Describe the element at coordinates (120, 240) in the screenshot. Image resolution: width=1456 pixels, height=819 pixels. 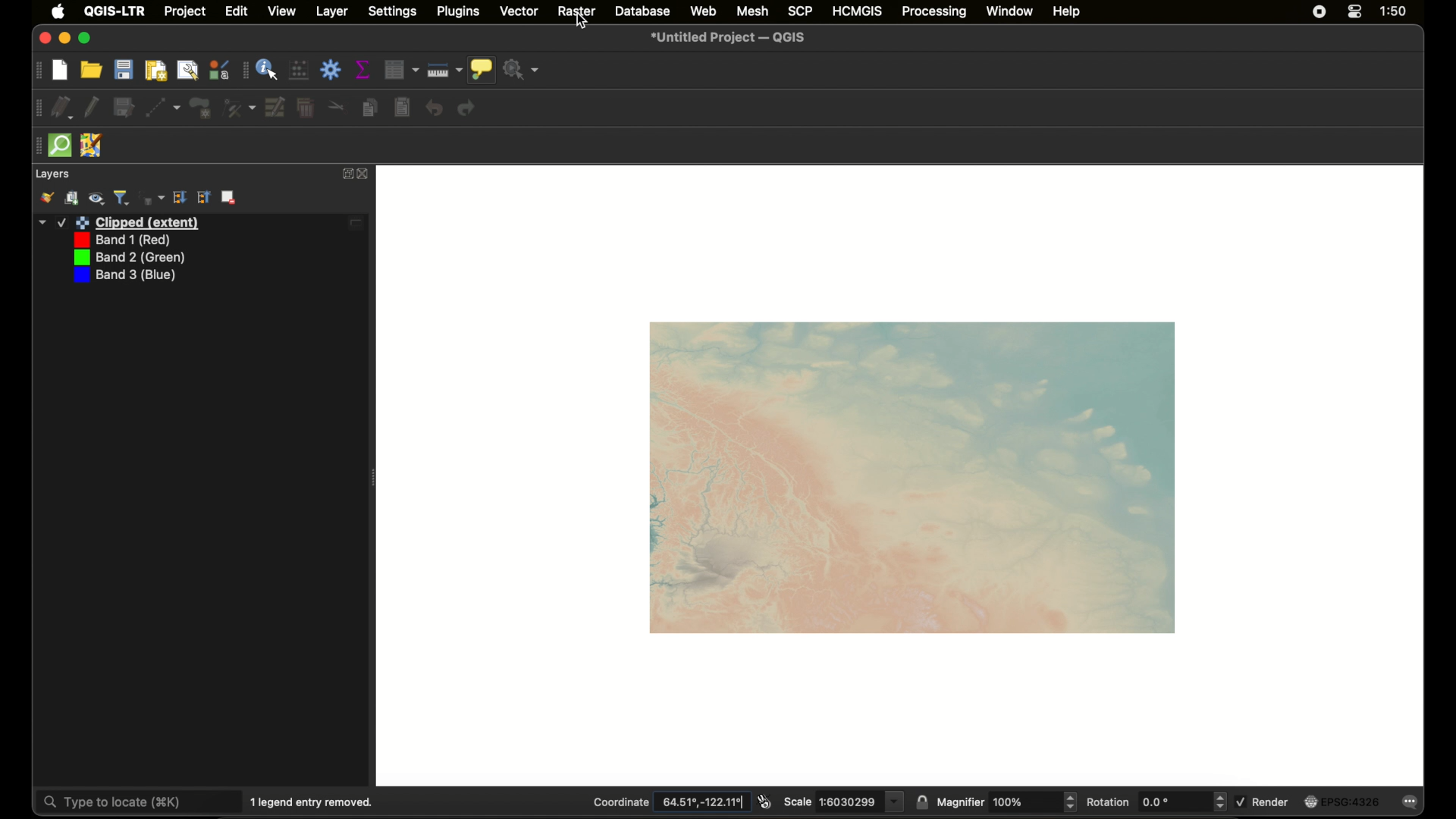
I see `band 1` at that location.